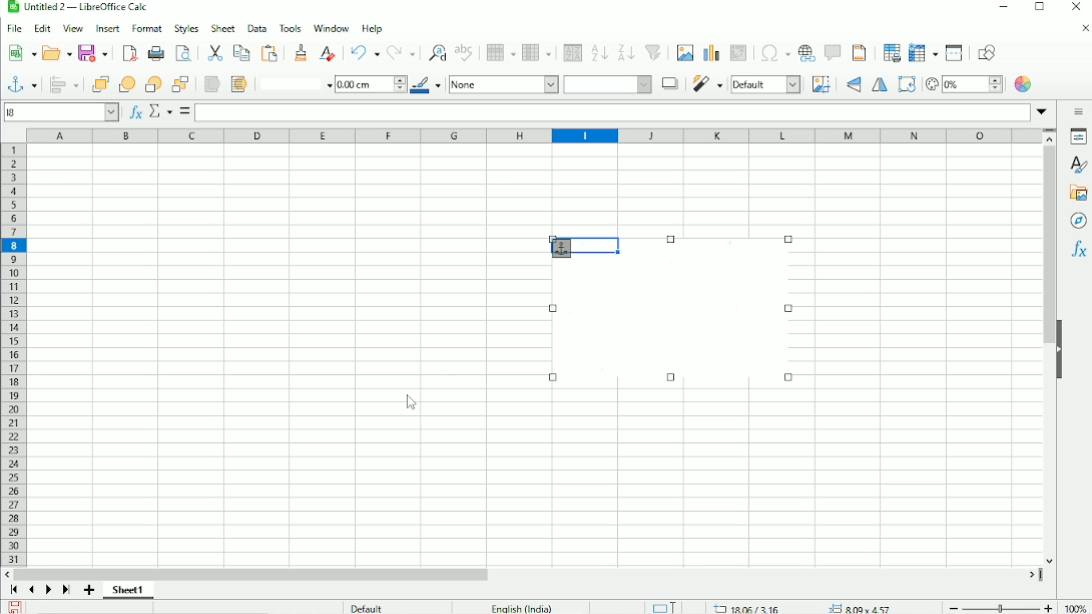 This screenshot has width=1092, height=614. I want to click on shadow, so click(666, 83).